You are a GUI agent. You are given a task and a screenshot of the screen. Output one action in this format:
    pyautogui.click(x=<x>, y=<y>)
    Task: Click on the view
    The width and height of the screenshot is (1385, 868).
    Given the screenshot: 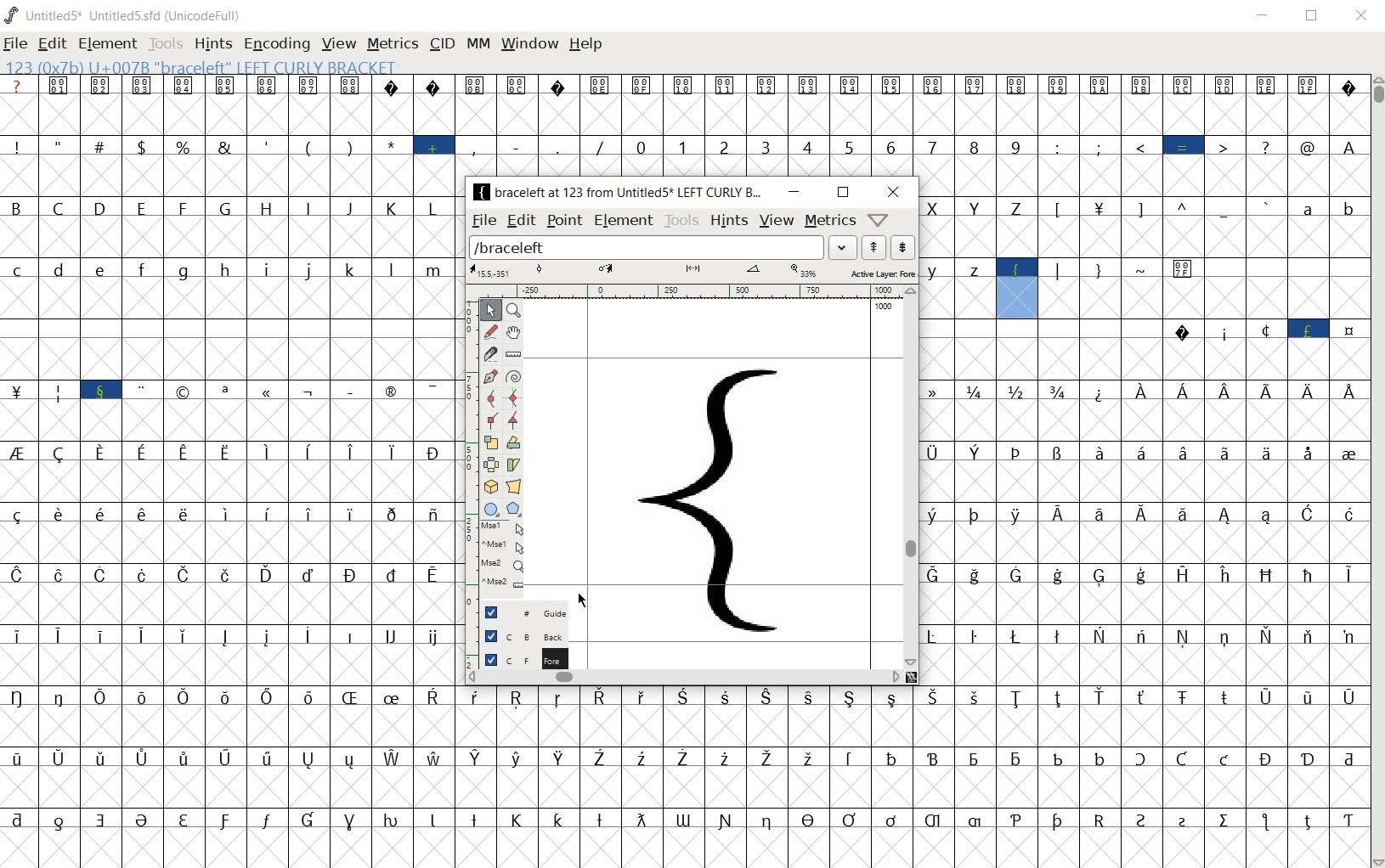 What is the action you would take?
    pyautogui.click(x=776, y=222)
    